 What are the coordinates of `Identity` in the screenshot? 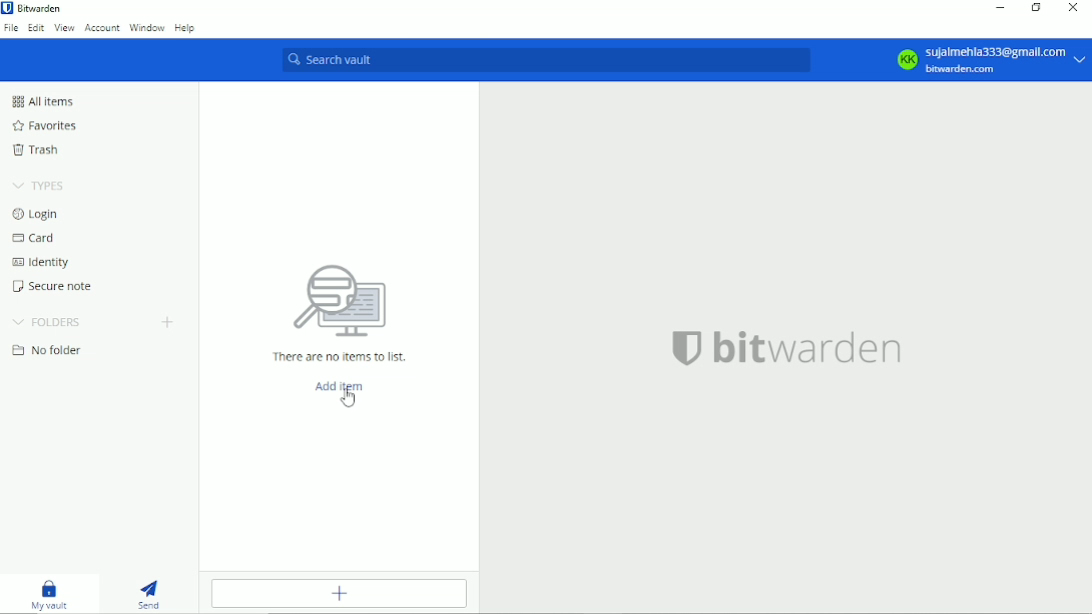 It's located at (39, 262).